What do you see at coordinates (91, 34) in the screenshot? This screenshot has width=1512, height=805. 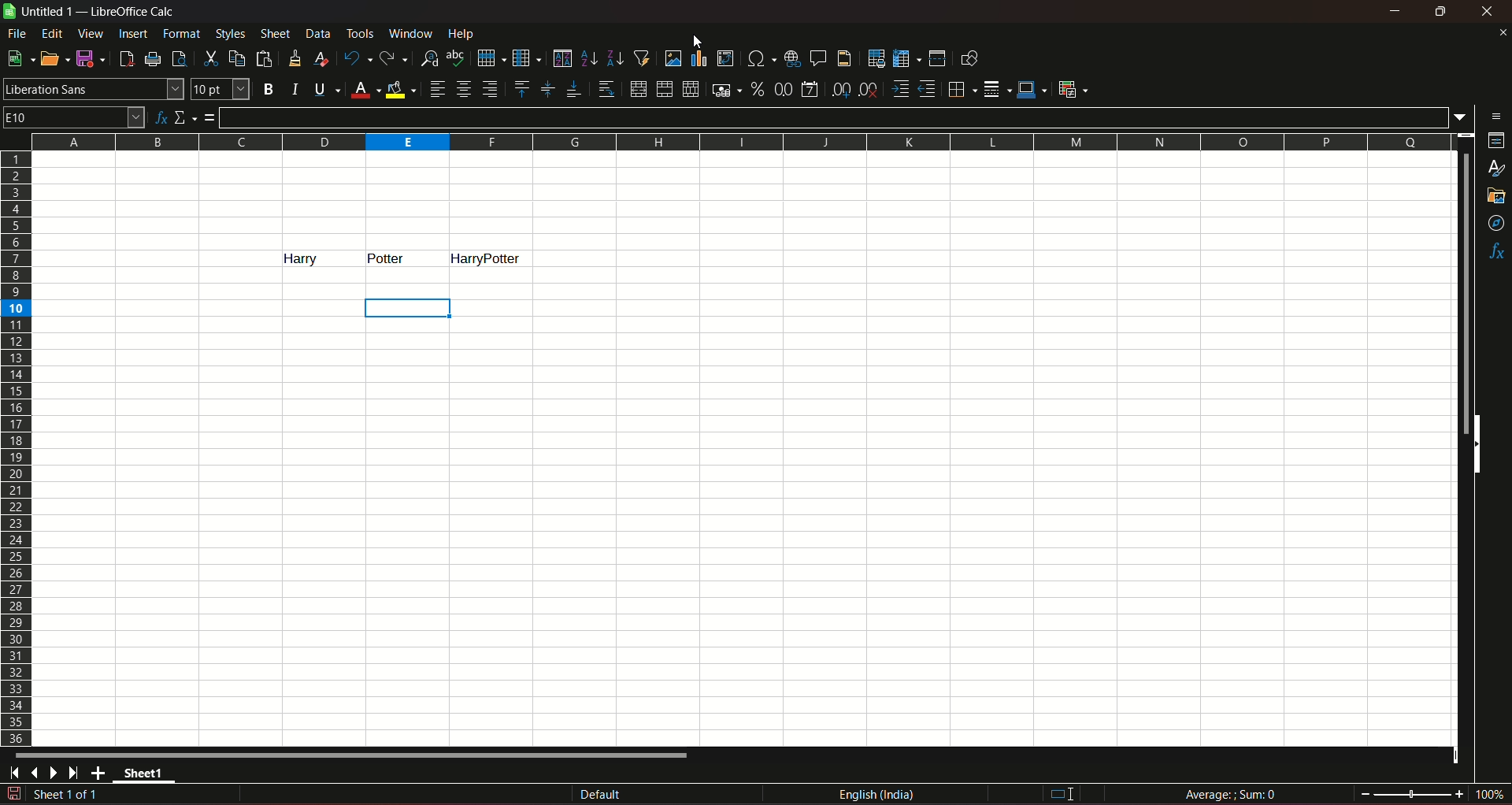 I see `view` at bounding box center [91, 34].